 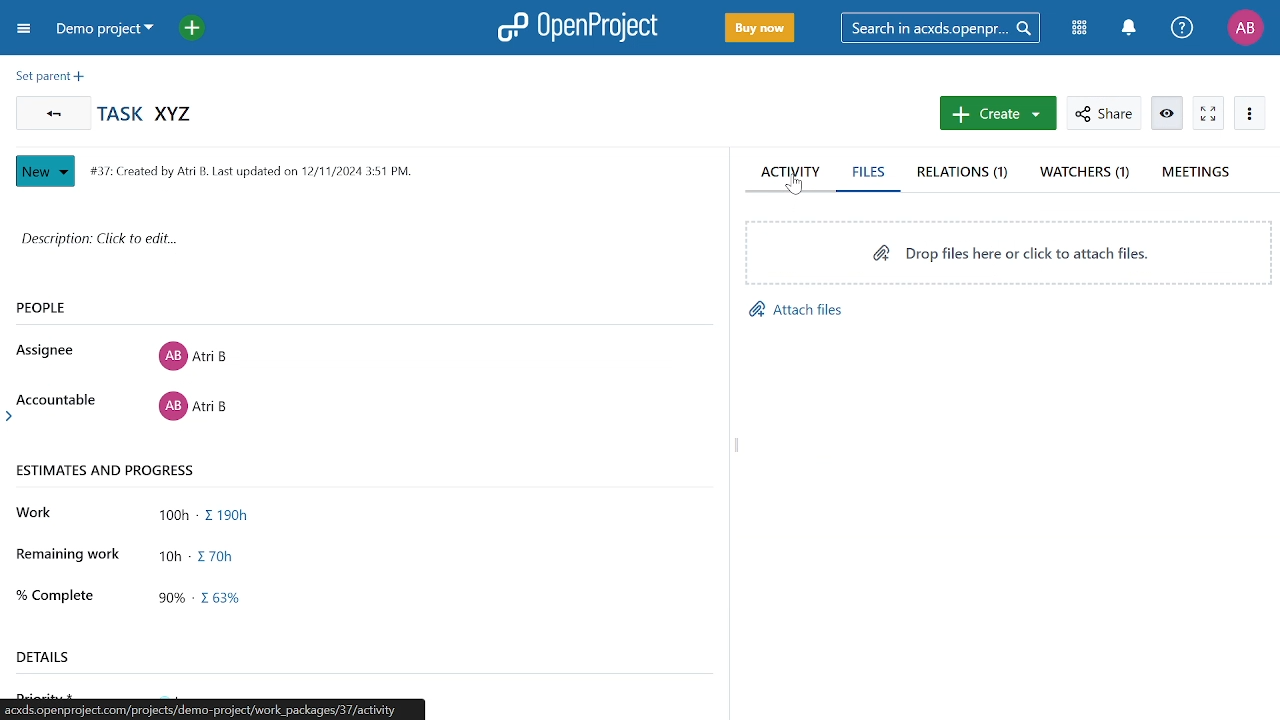 What do you see at coordinates (221, 403) in the screenshot?
I see `Accountable` at bounding box center [221, 403].